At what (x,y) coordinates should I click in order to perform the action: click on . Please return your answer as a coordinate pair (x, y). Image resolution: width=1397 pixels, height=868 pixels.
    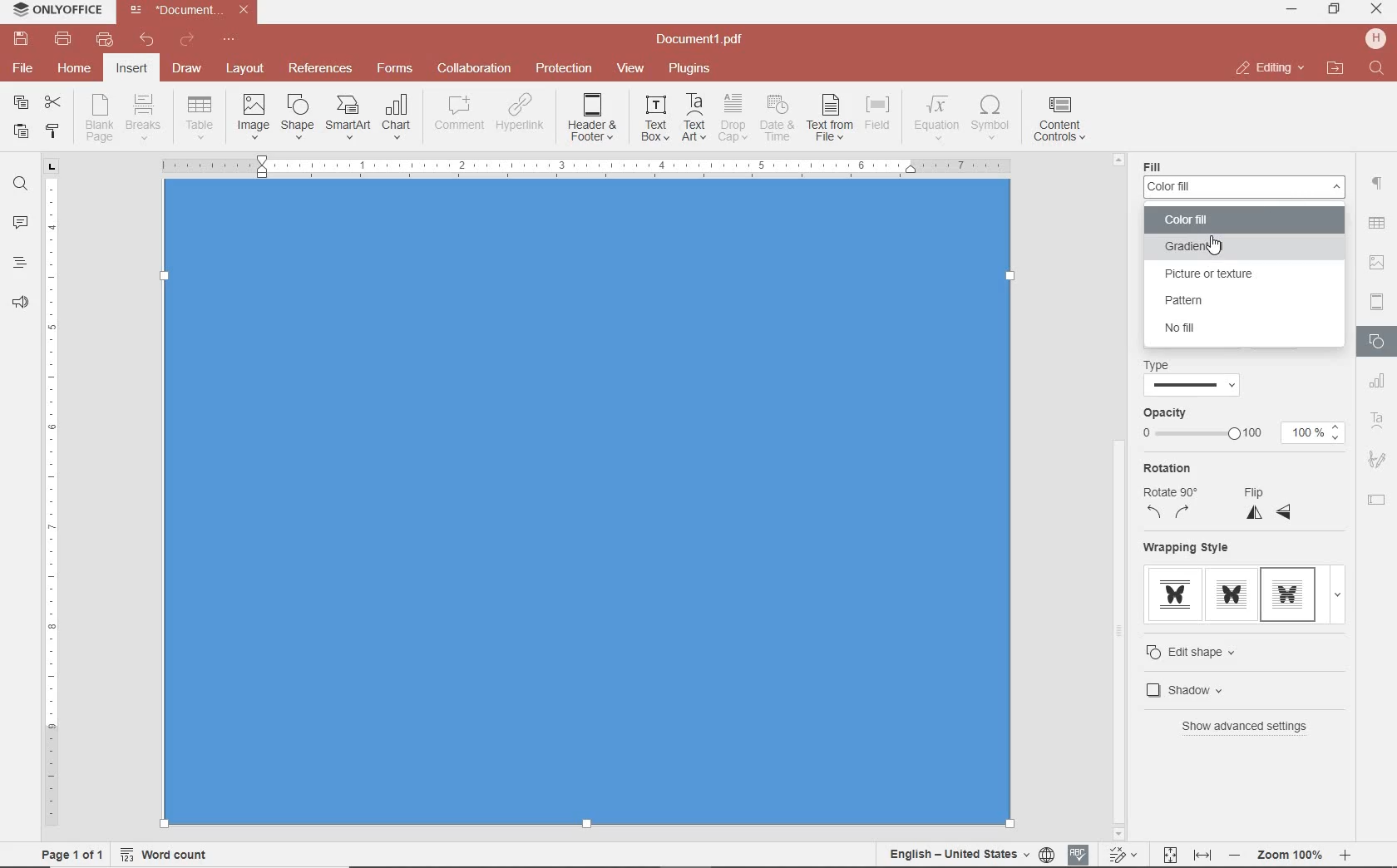
    Looking at the image, I should click on (588, 518).